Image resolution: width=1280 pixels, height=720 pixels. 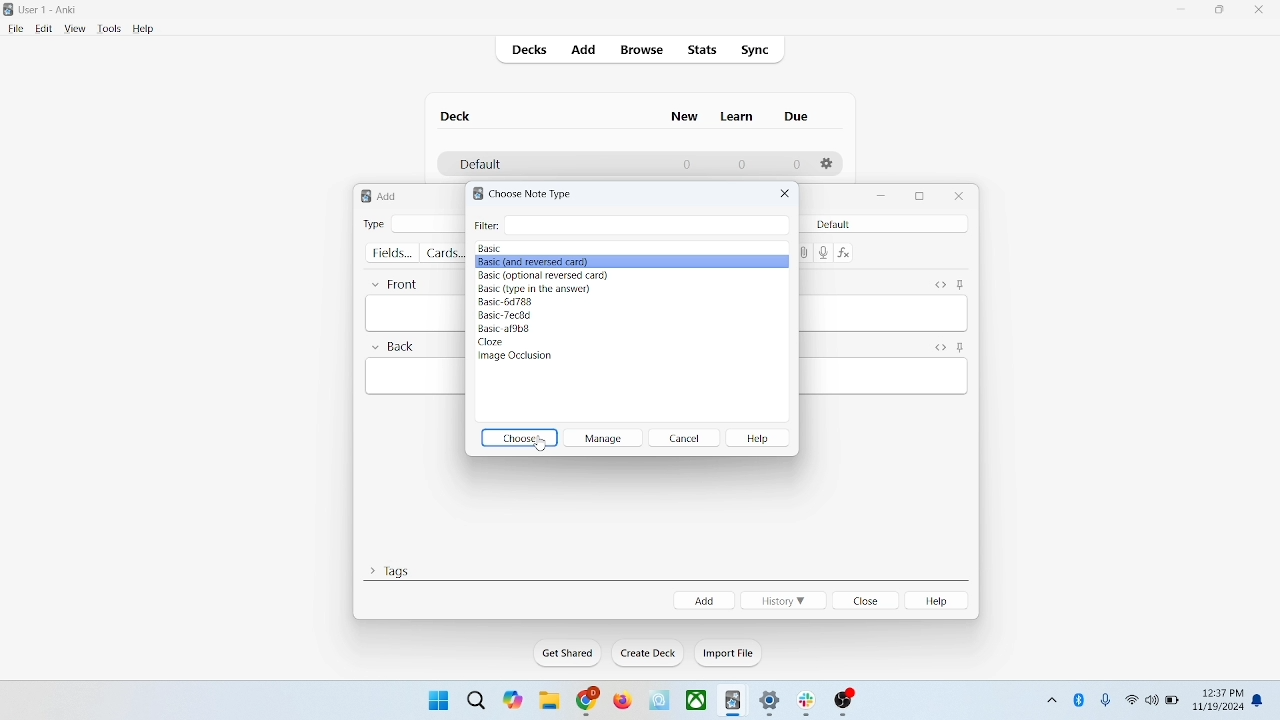 What do you see at coordinates (569, 654) in the screenshot?
I see `get shared` at bounding box center [569, 654].